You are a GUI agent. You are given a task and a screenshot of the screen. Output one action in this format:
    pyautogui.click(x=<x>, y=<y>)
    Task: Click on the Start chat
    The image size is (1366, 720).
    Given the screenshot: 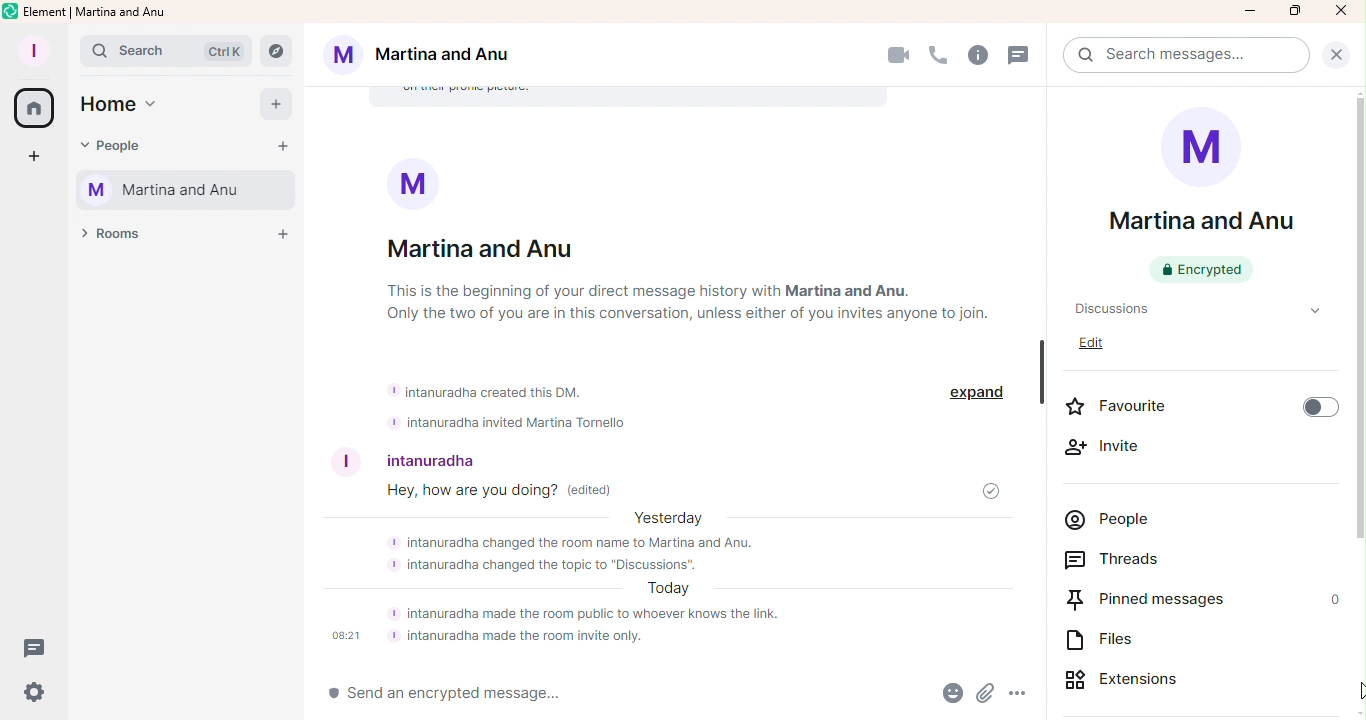 What is the action you would take?
    pyautogui.click(x=286, y=147)
    